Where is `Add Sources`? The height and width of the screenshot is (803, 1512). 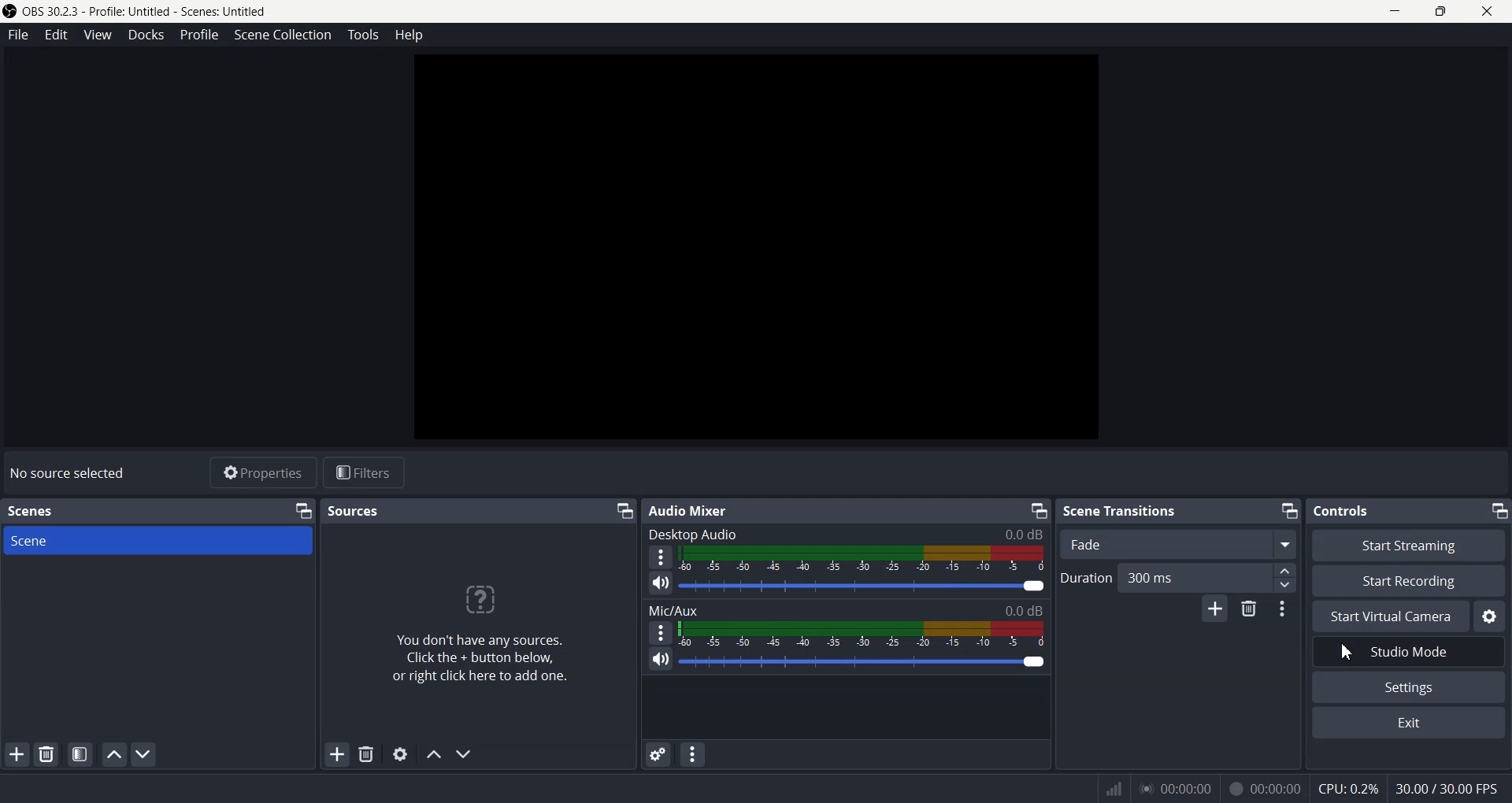
Add Sources is located at coordinates (335, 754).